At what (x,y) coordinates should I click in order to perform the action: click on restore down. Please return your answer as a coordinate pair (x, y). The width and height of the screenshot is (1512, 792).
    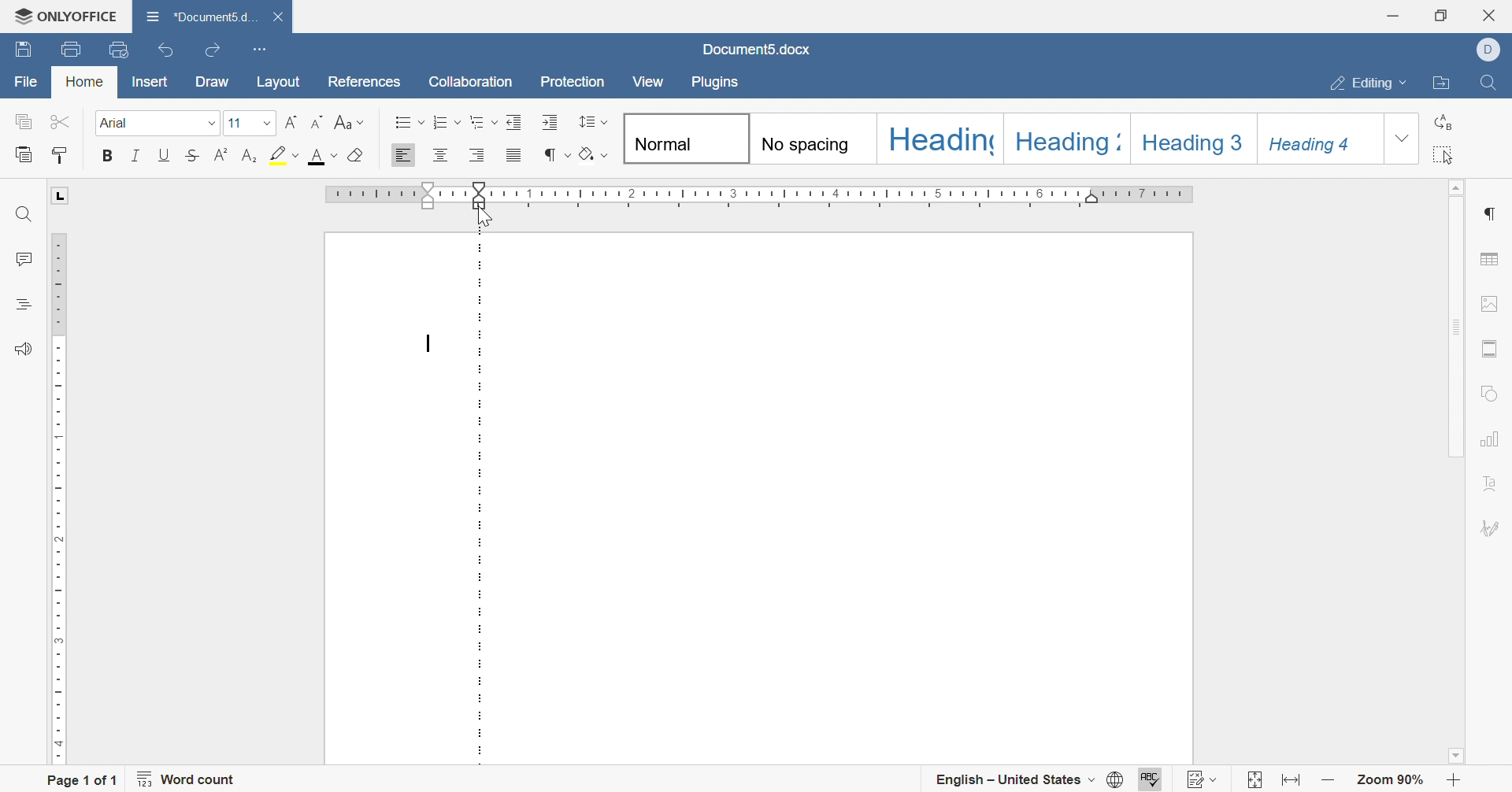
    Looking at the image, I should click on (1441, 15).